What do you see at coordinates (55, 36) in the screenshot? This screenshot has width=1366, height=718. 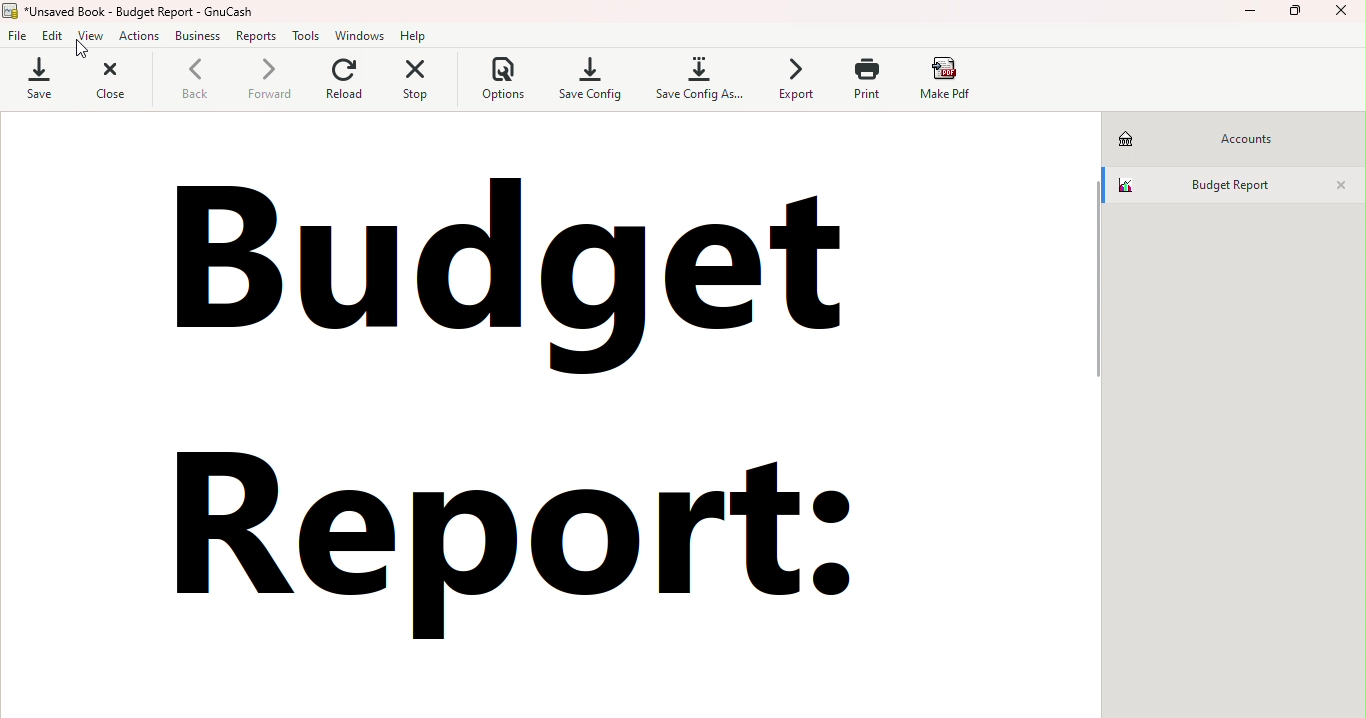 I see `Edit` at bounding box center [55, 36].